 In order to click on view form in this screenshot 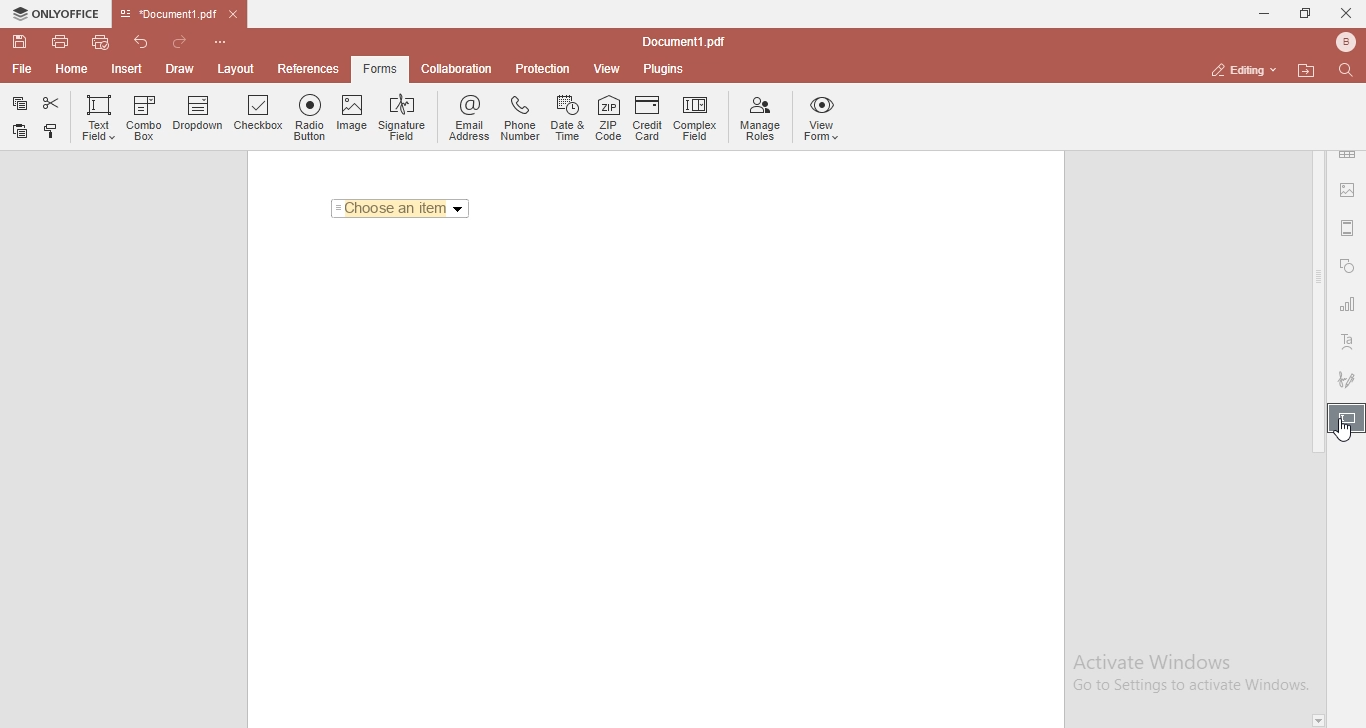, I will do `click(823, 119)`.